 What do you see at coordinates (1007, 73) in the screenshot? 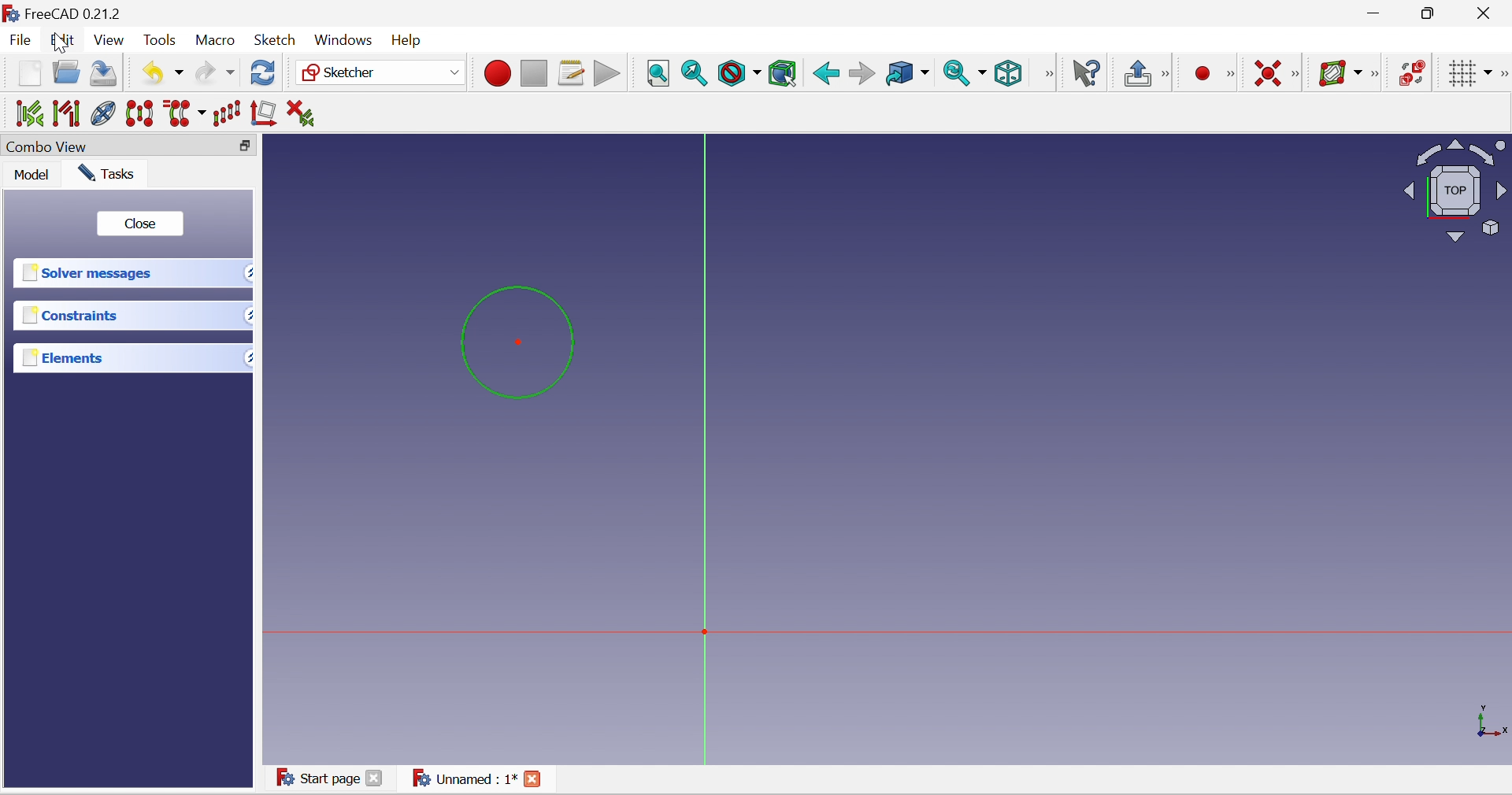
I see `Isometric` at bounding box center [1007, 73].